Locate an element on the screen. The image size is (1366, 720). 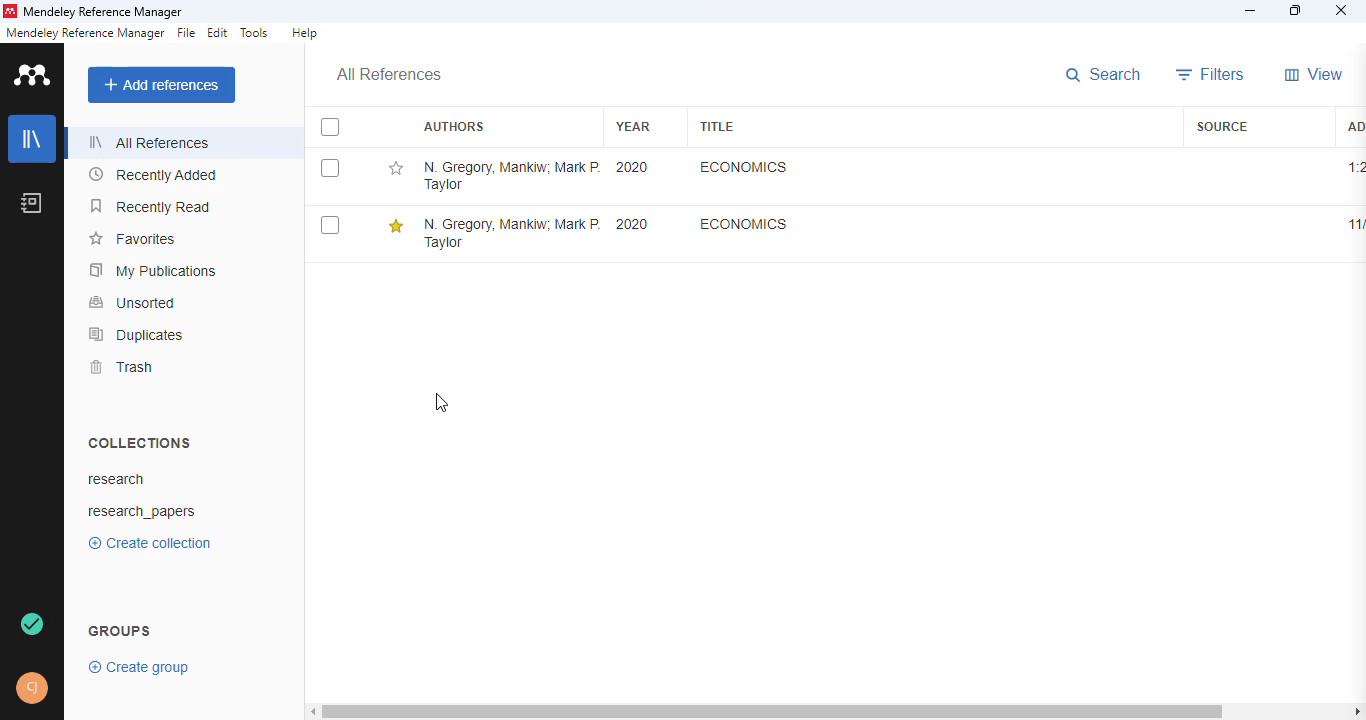
add this reference to favorites is located at coordinates (397, 226).